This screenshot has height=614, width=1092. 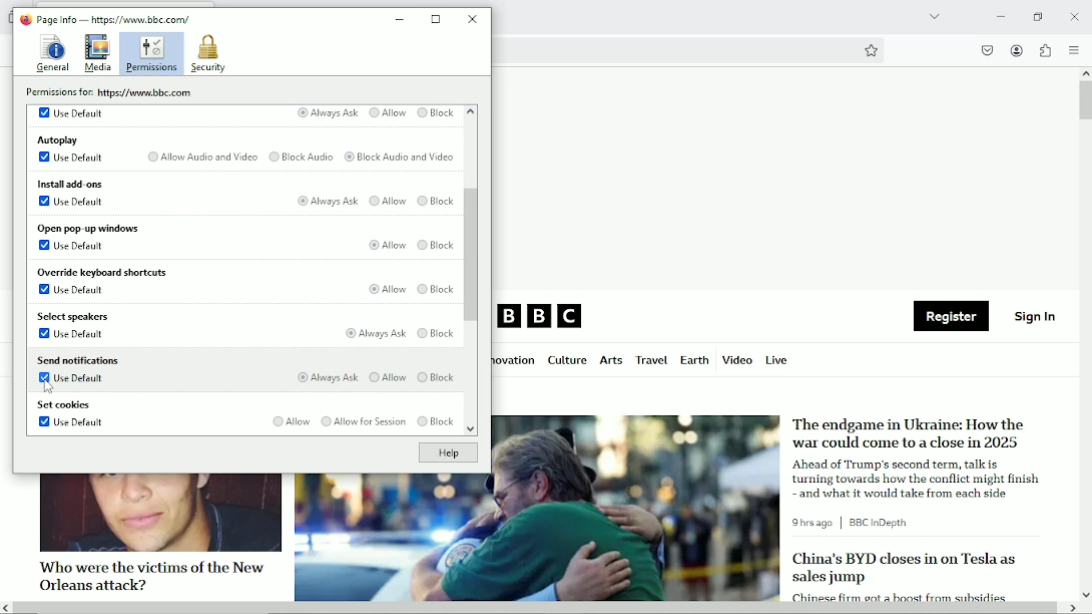 I want to click on Help, so click(x=447, y=453).